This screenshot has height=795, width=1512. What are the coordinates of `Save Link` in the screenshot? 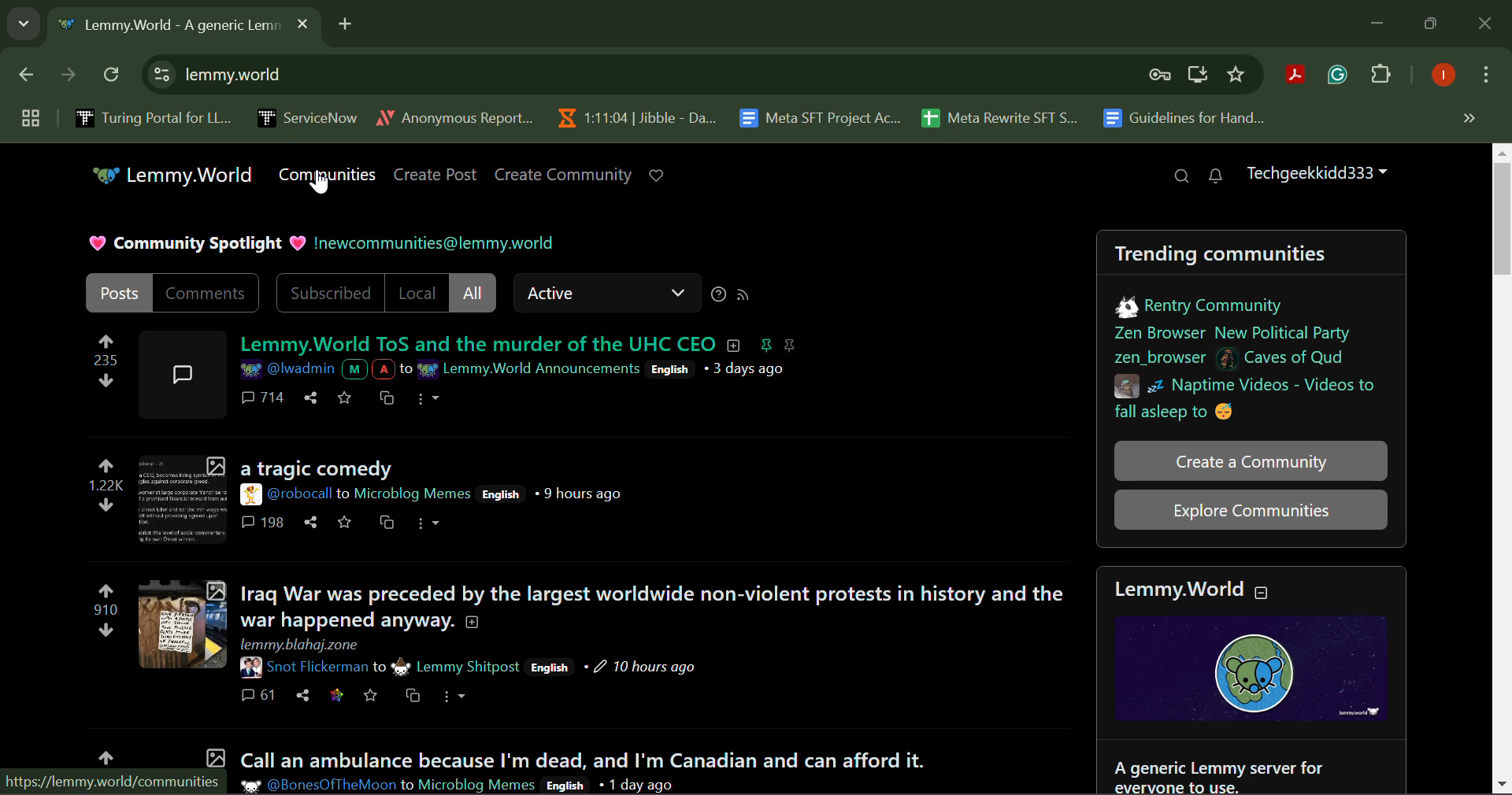 It's located at (336, 695).